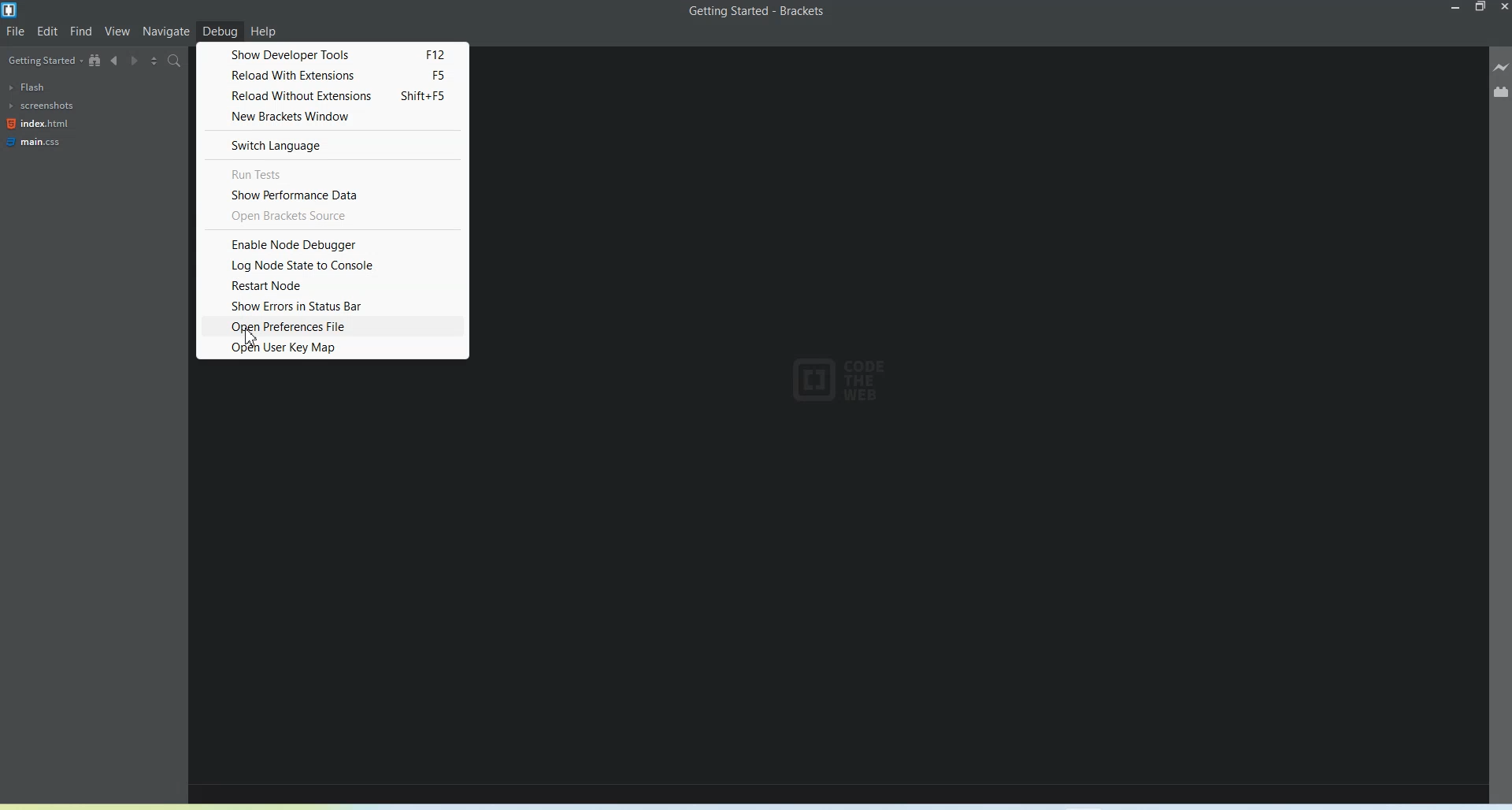 Image resolution: width=1512 pixels, height=810 pixels. I want to click on Open User Key Map, so click(332, 347).